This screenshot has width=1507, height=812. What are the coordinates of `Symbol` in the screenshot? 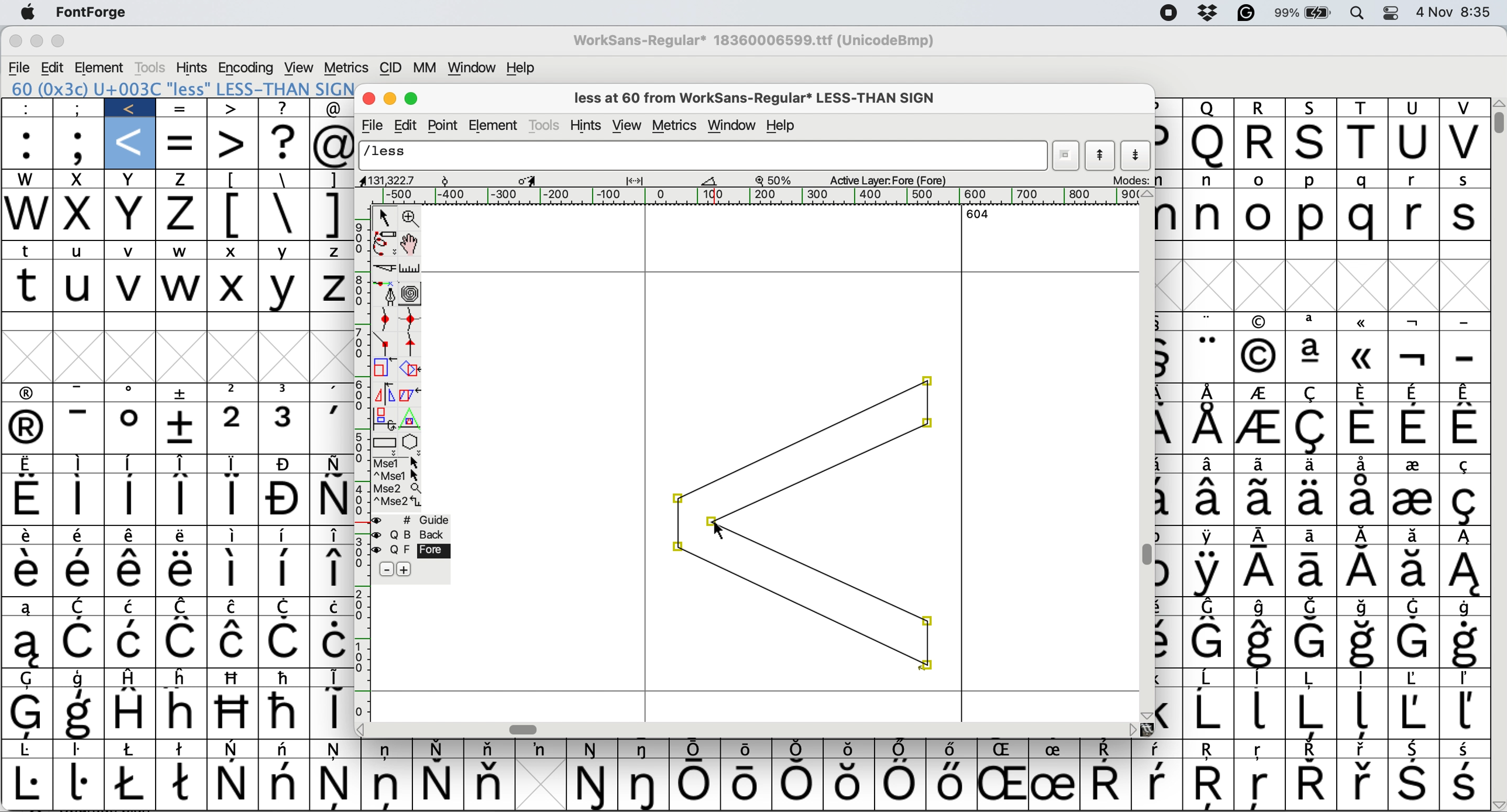 It's located at (288, 607).